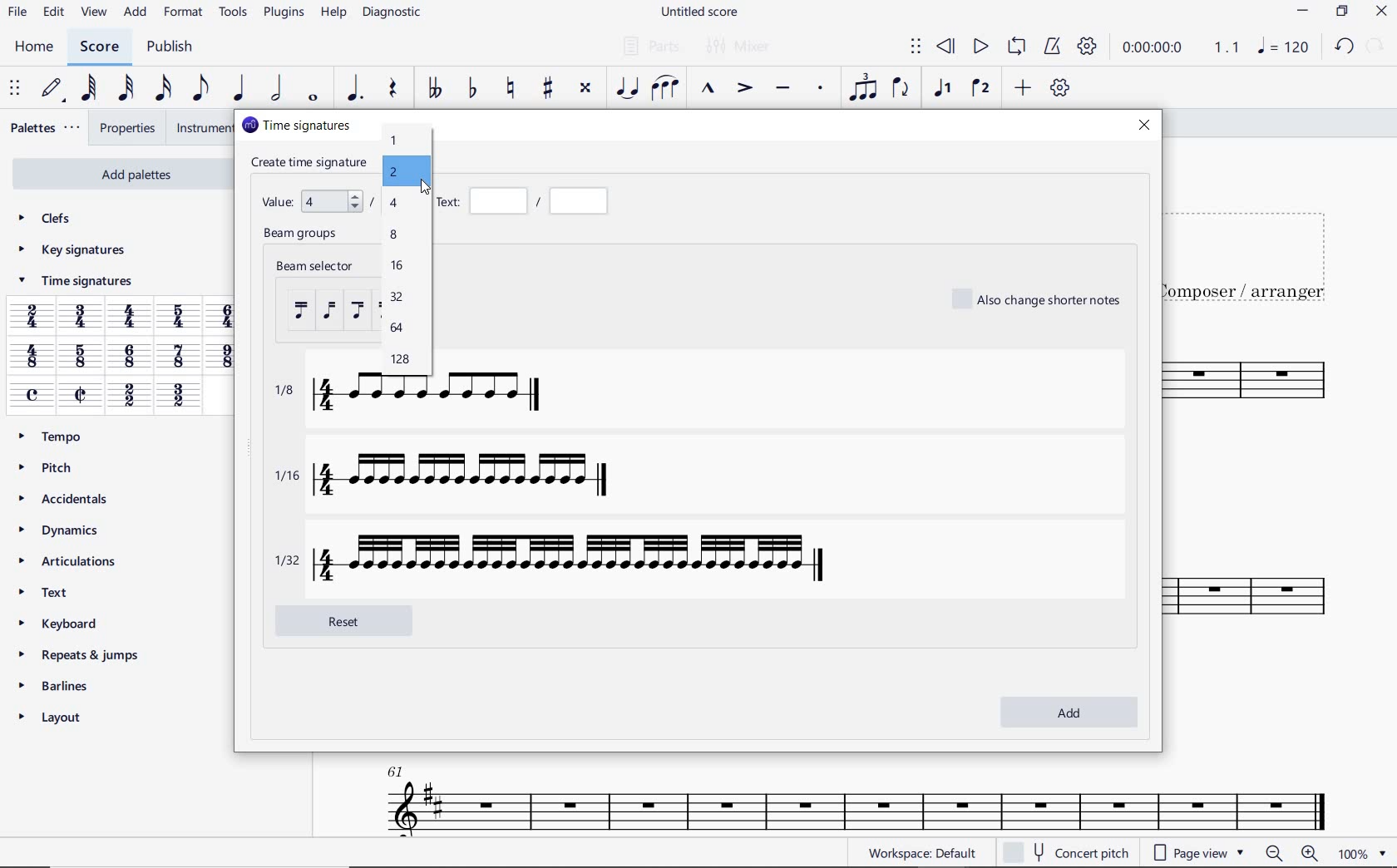 The height and width of the screenshot is (868, 1397). Describe the element at coordinates (945, 91) in the screenshot. I see `VOICE 1` at that location.